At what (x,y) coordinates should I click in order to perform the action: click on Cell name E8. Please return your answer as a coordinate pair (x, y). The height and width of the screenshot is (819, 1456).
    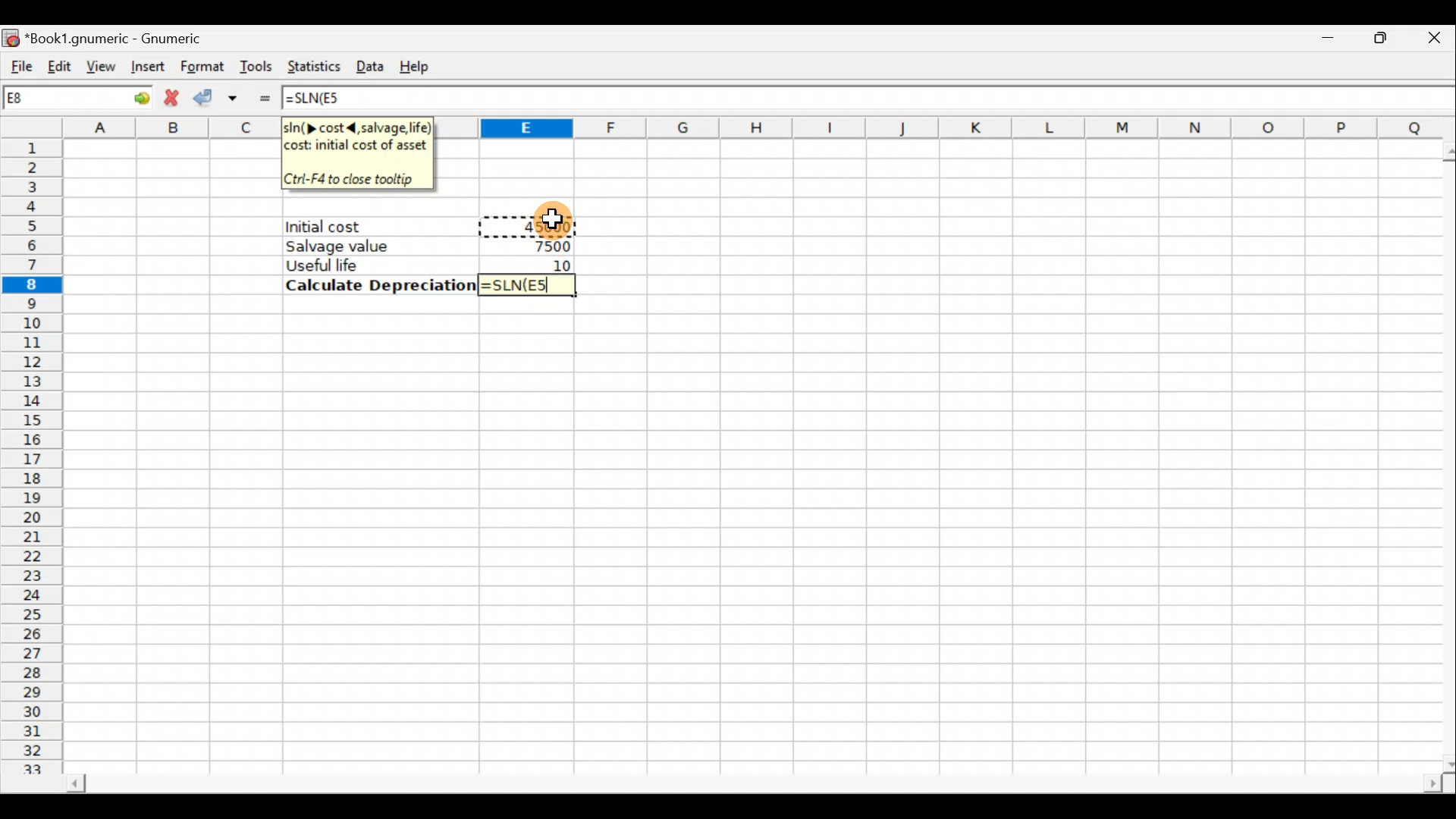
    Looking at the image, I should click on (51, 101).